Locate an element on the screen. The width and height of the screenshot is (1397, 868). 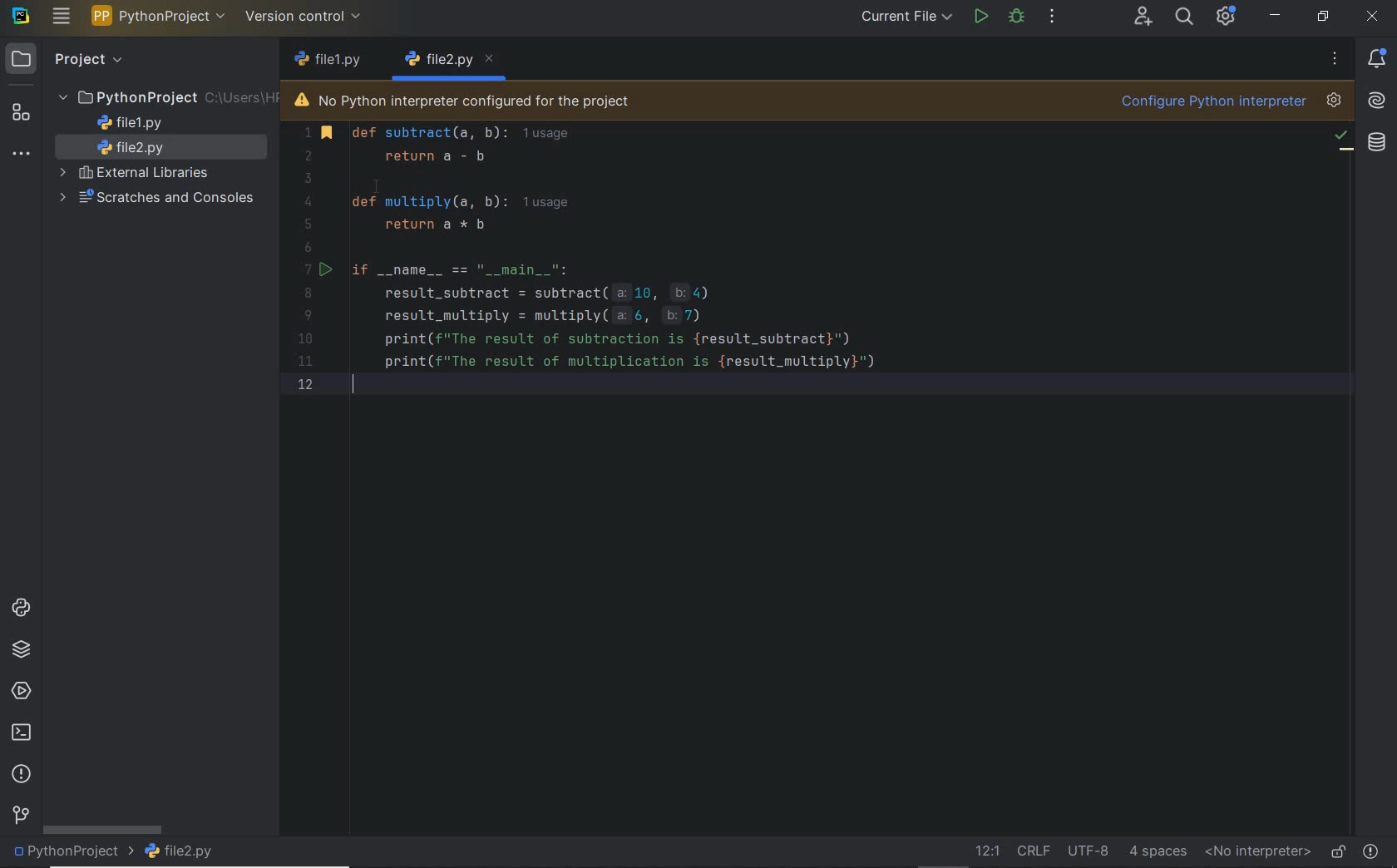
run is located at coordinates (981, 15).